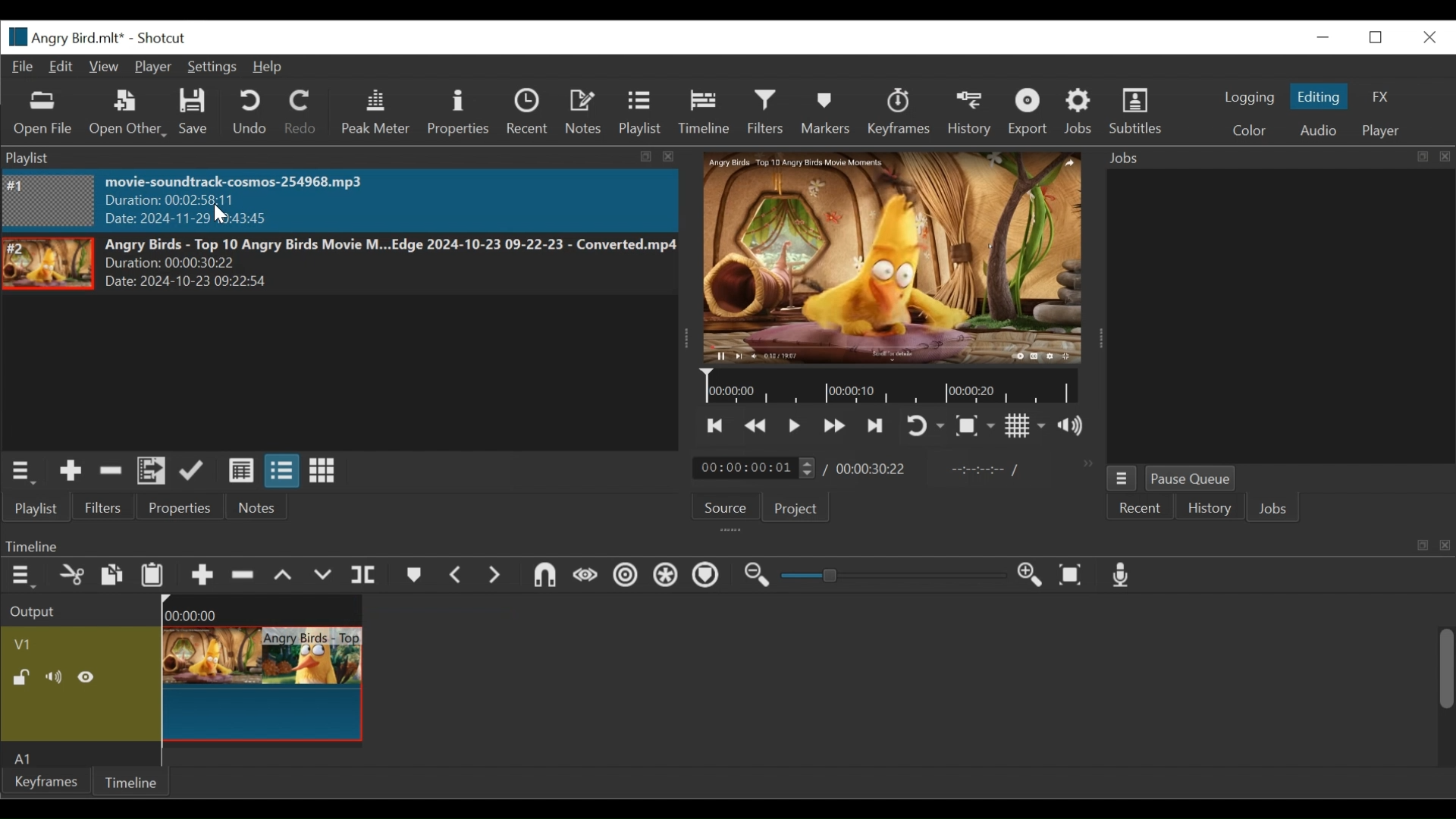 The width and height of the screenshot is (1456, 819). I want to click on Timeline menu, so click(22, 577).